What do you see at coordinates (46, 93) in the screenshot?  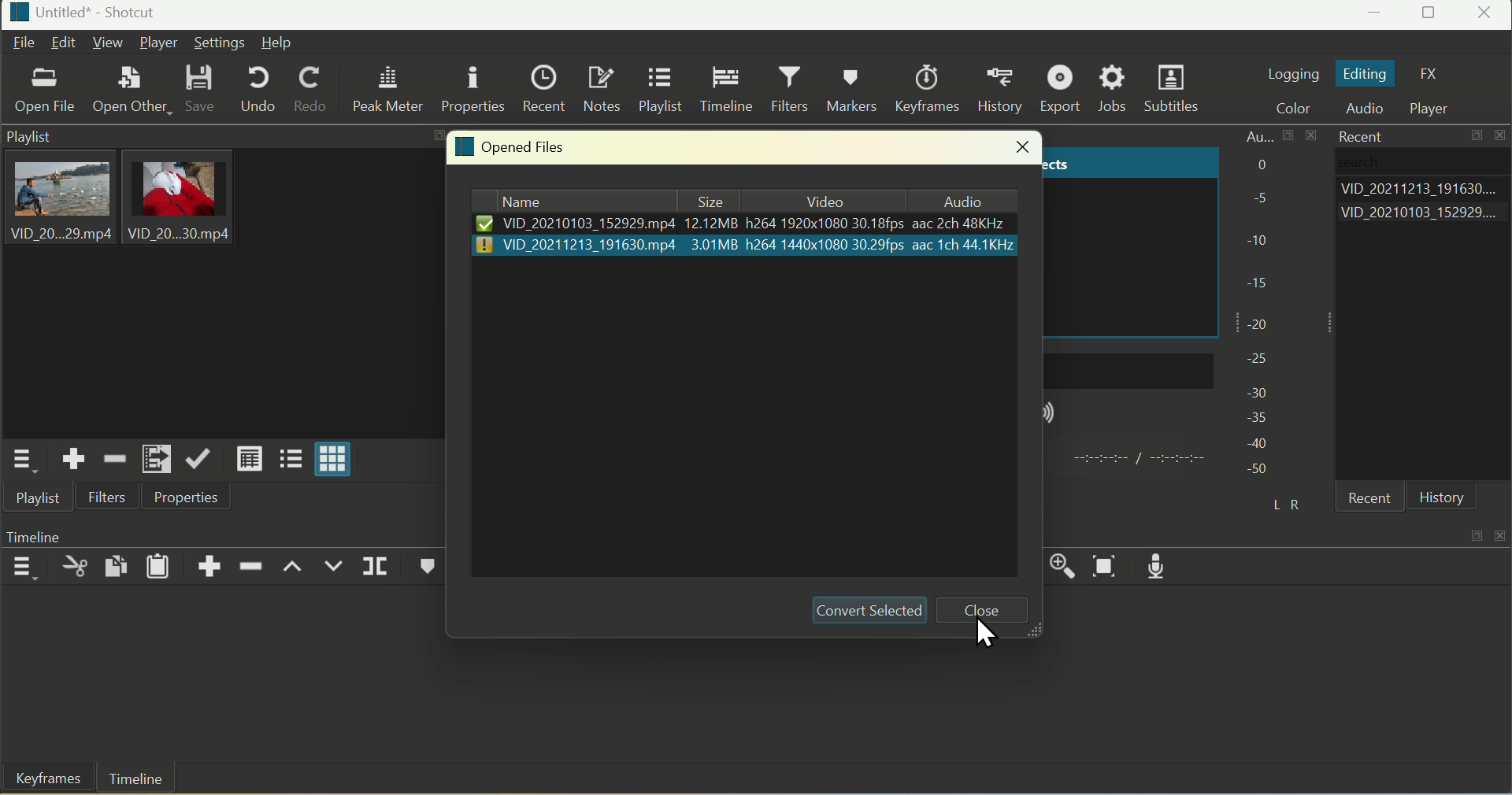 I see `Open File` at bounding box center [46, 93].